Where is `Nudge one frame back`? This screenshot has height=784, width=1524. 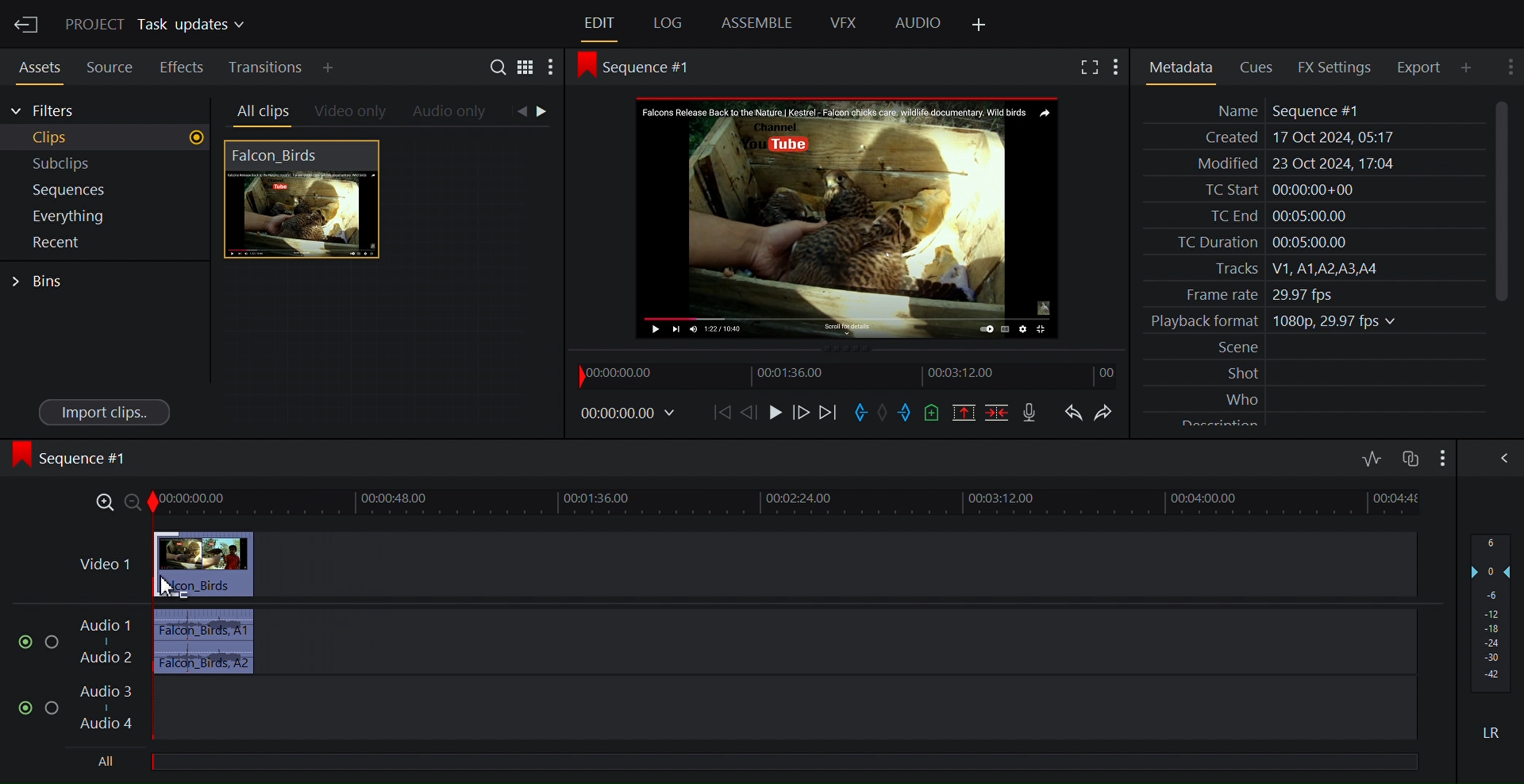
Nudge one frame back is located at coordinates (804, 414).